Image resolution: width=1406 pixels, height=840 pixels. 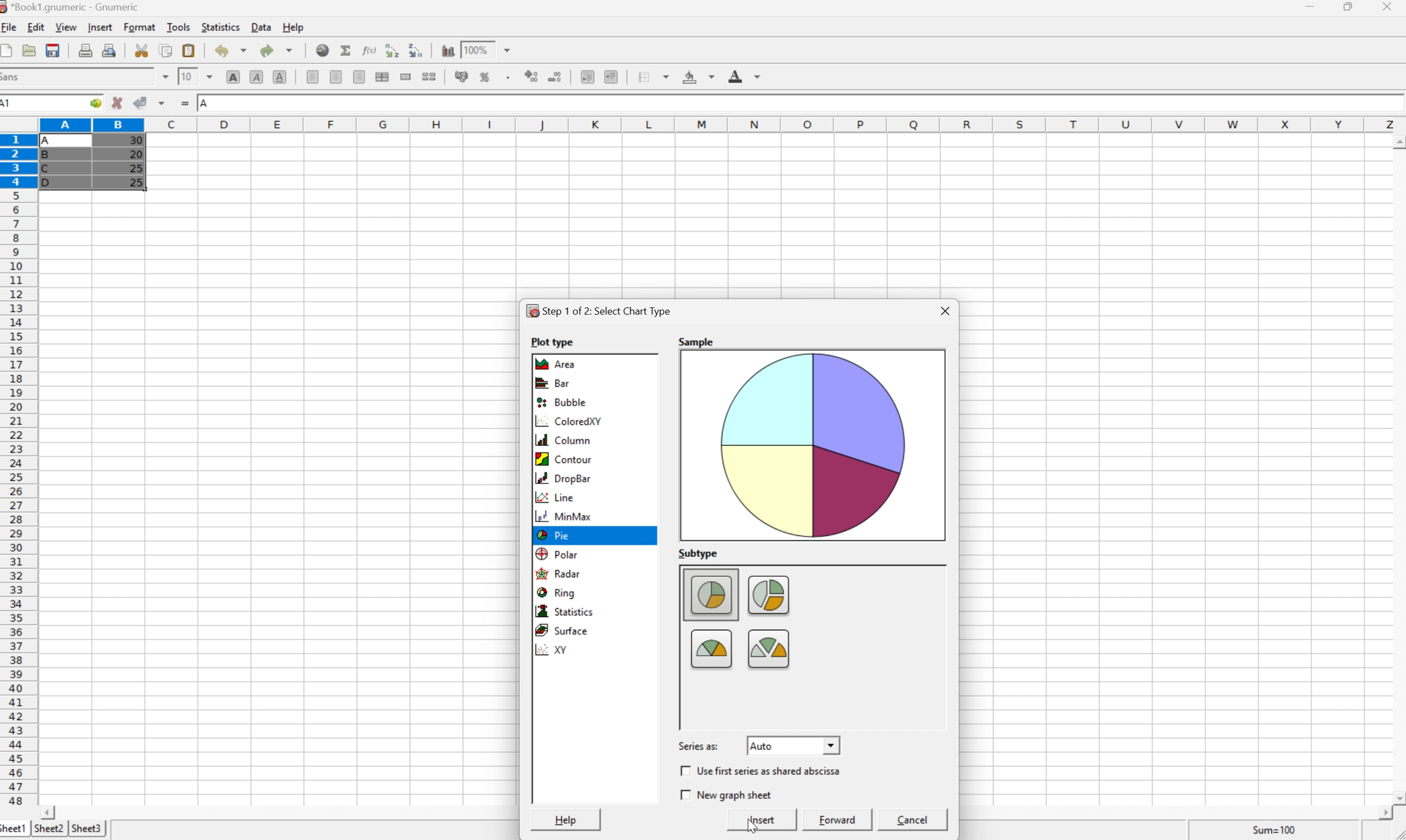 What do you see at coordinates (507, 78) in the screenshot?
I see `Set the format of the selected cells to include a thousands separator` at bounding box center [507, 78].